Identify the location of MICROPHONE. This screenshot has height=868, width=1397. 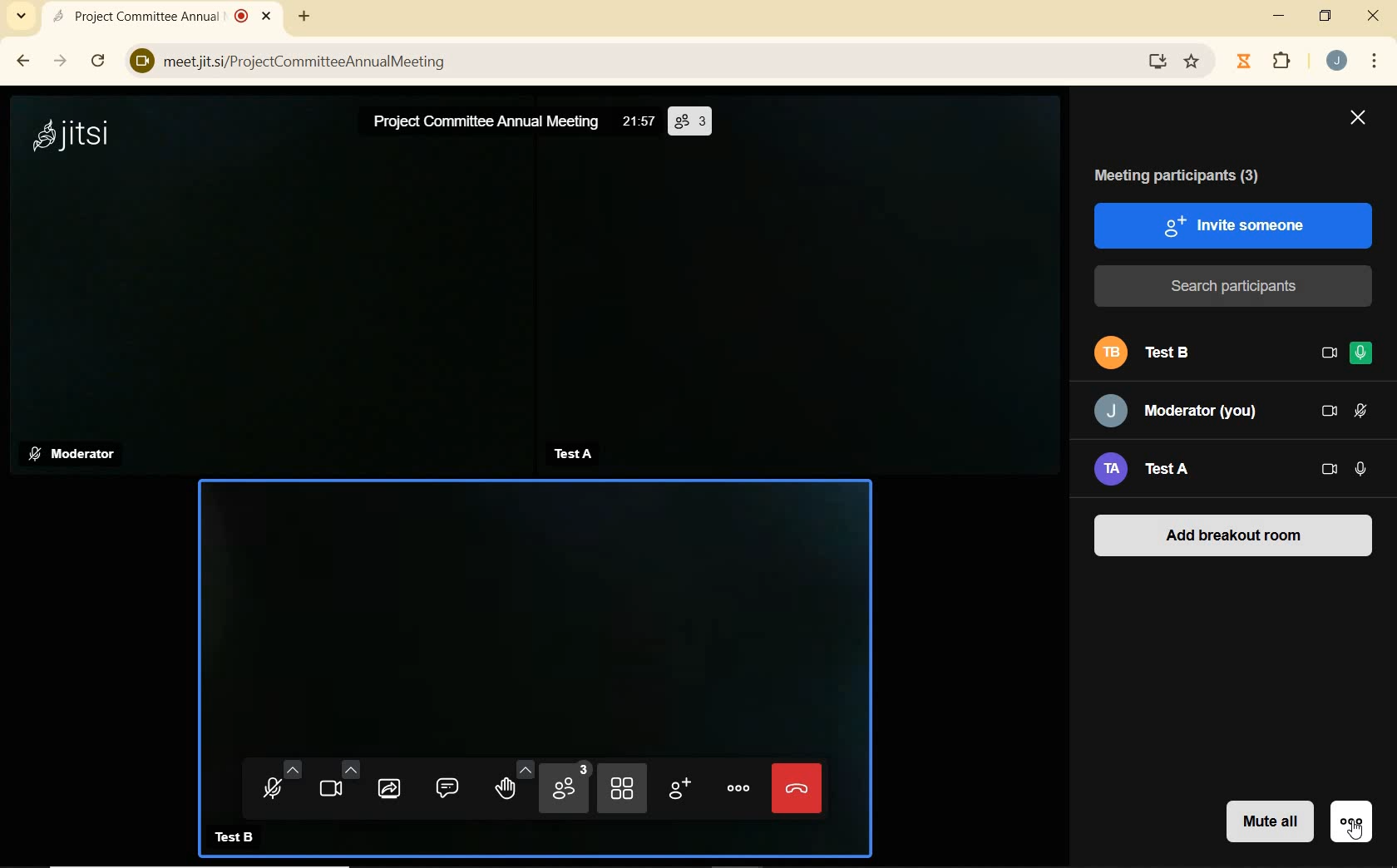
(279, 787).